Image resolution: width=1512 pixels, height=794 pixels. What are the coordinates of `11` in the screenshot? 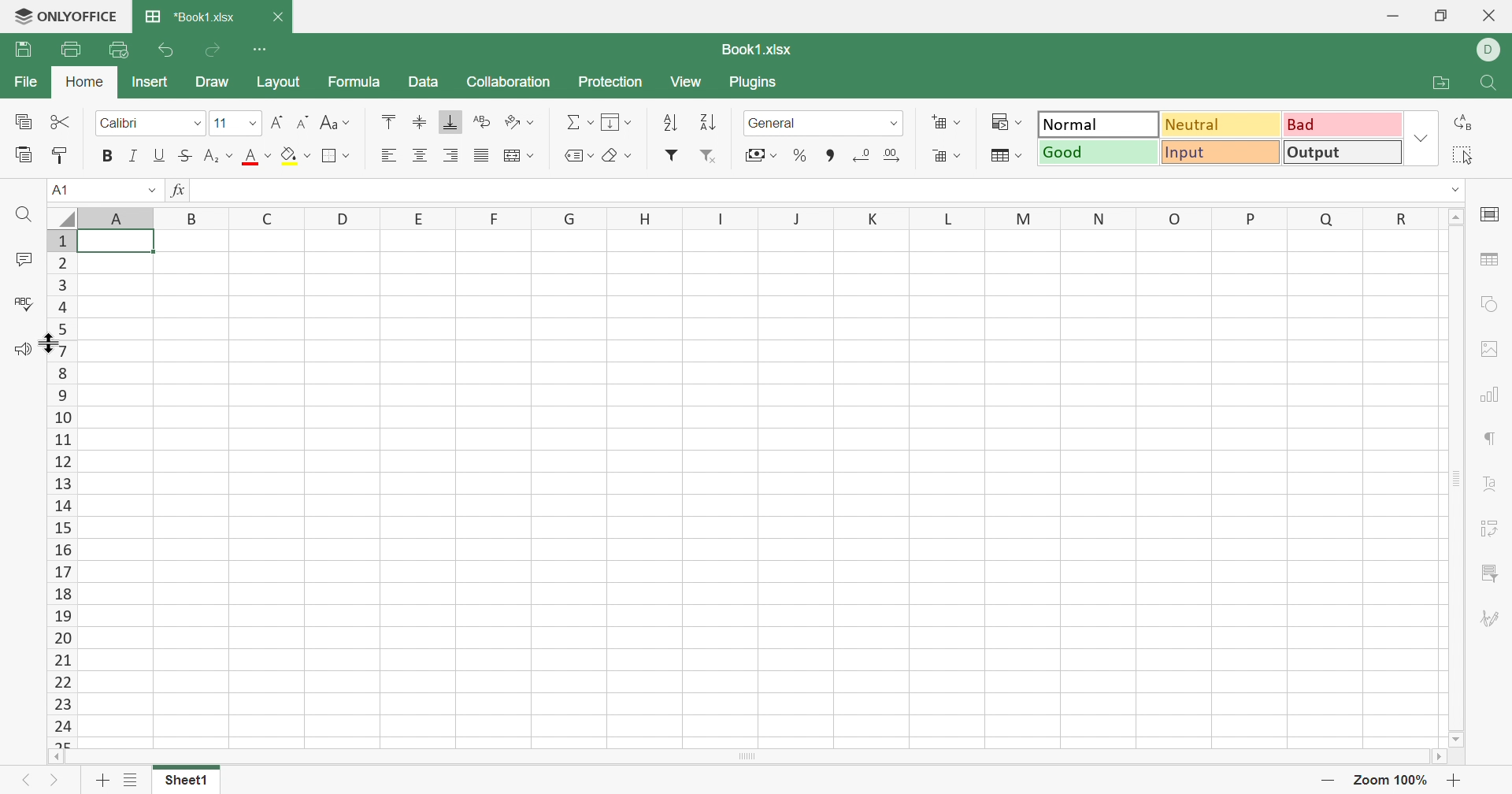 It's located at (220, 123).